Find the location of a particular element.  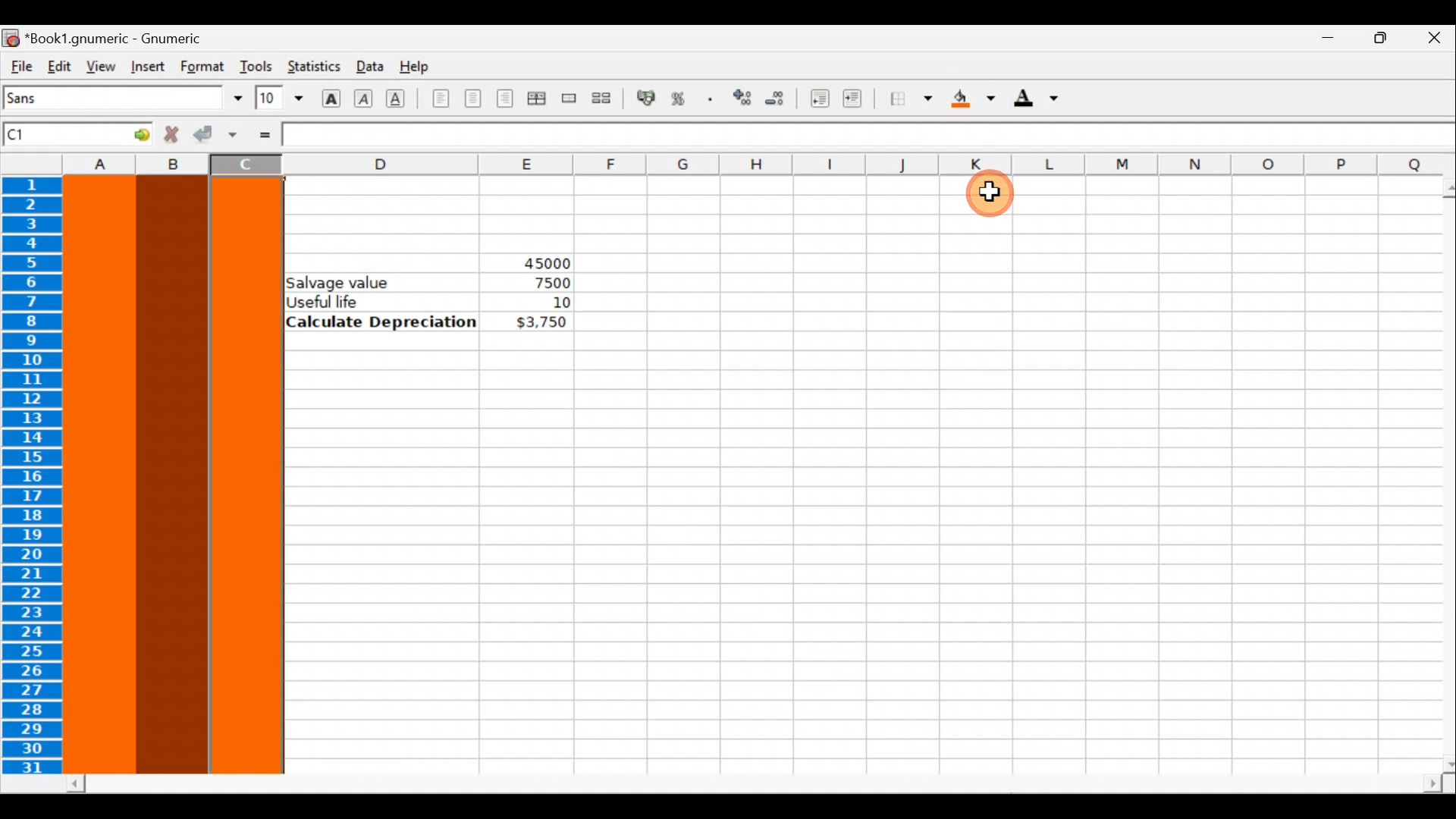

Formula bar is located at coordinates (871, 136).